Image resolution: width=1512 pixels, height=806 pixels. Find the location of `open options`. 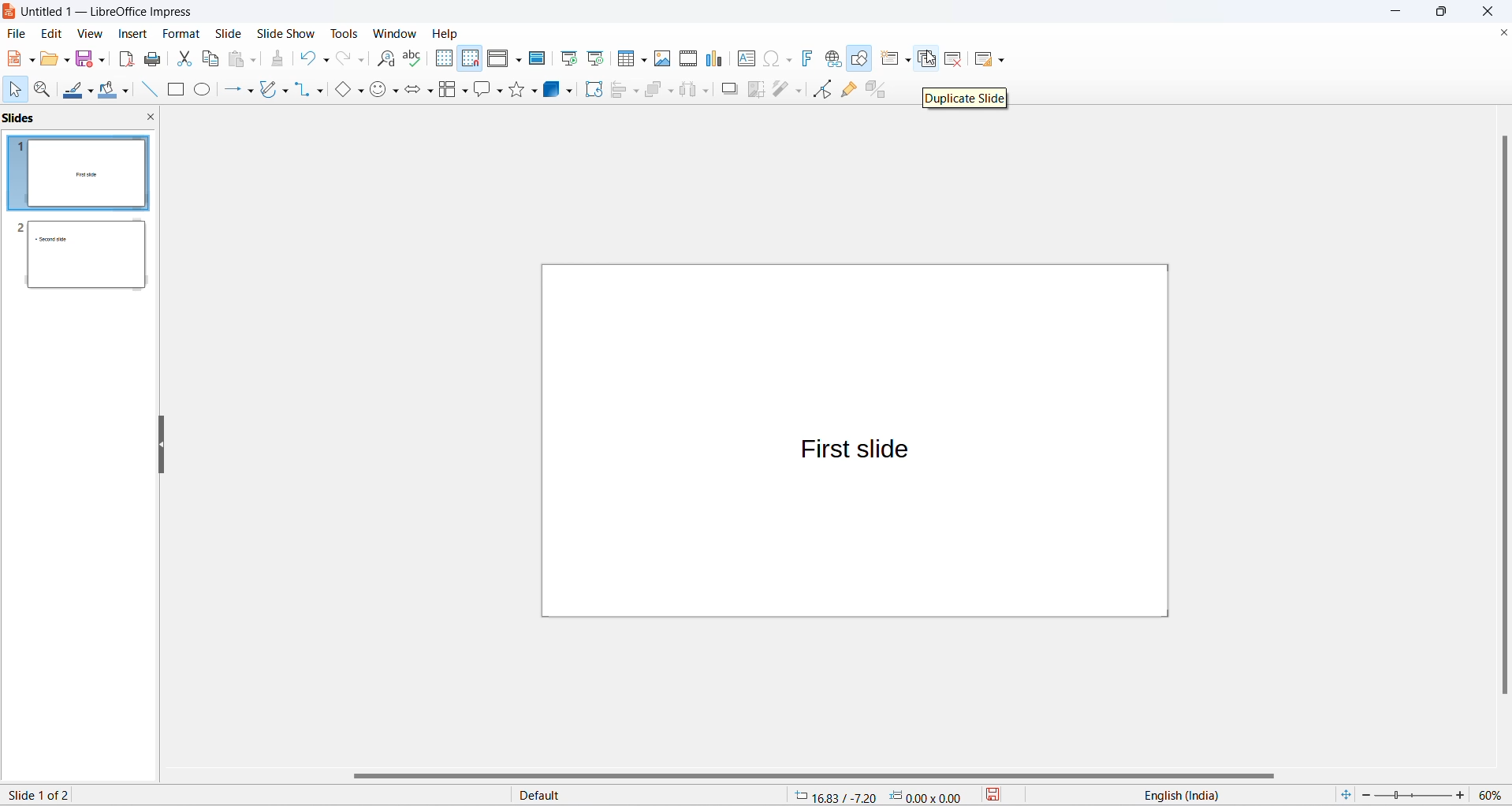

open options is located at coordinates (67, 58).